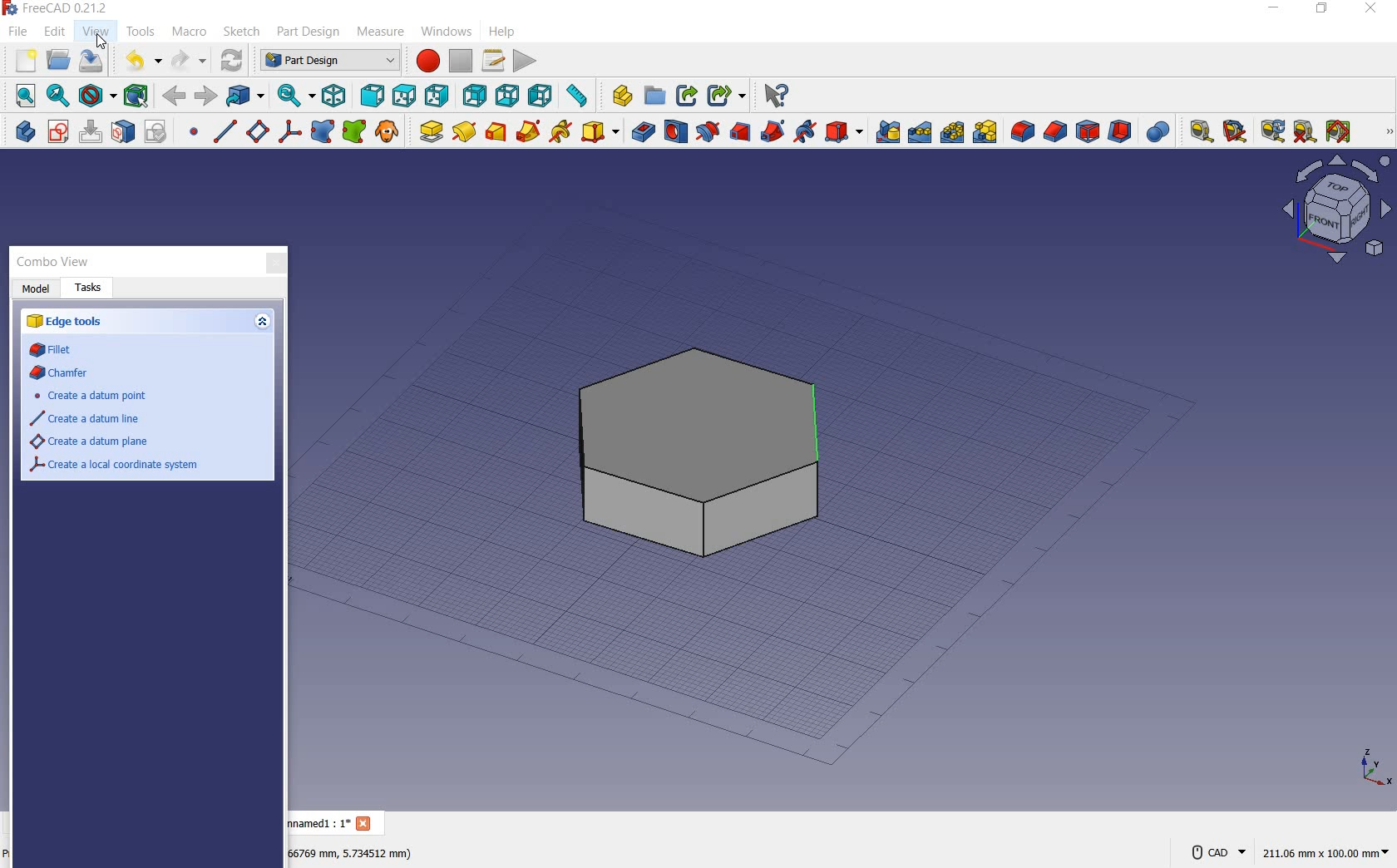 This screenshot has width=1397, height=868. What do you see at coordinates (447, 34) in the screenshot?
I see `windows` at bounding box center [447, 34].